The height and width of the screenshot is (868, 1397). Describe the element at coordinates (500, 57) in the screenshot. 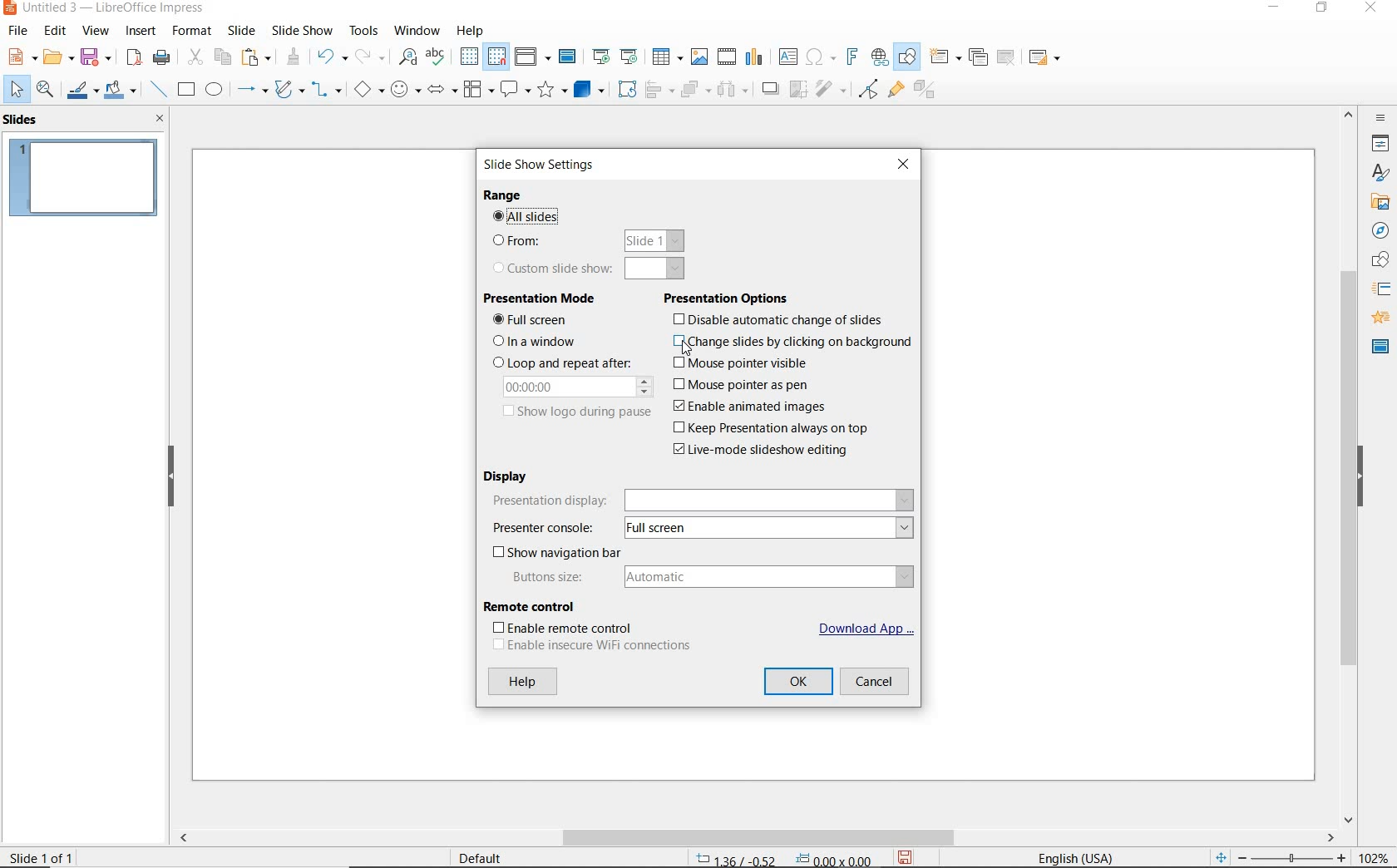

I see `SNAP TO GRID` at that location.